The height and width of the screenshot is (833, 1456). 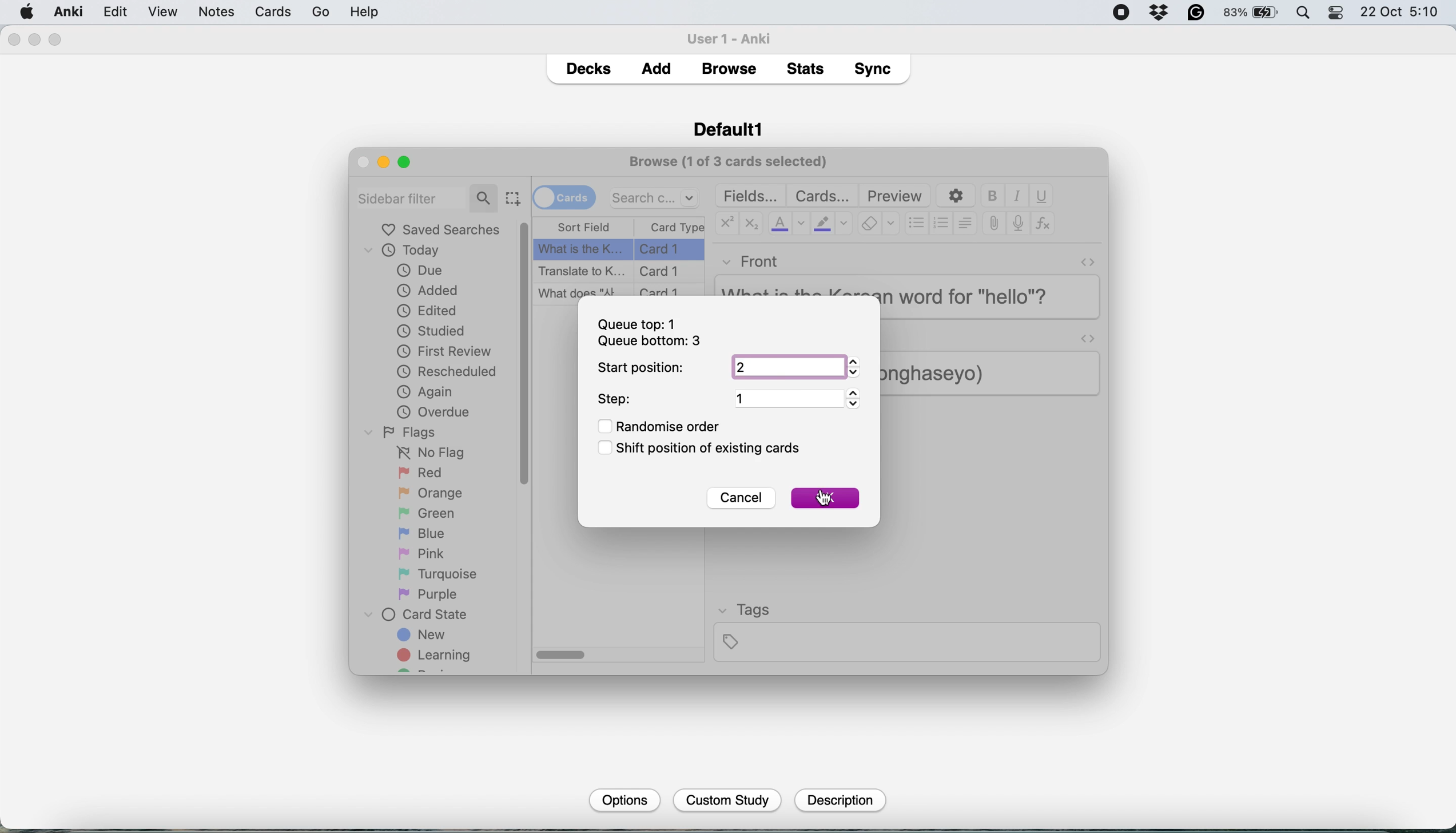 I want to click on today, so click(x=408, y=251).